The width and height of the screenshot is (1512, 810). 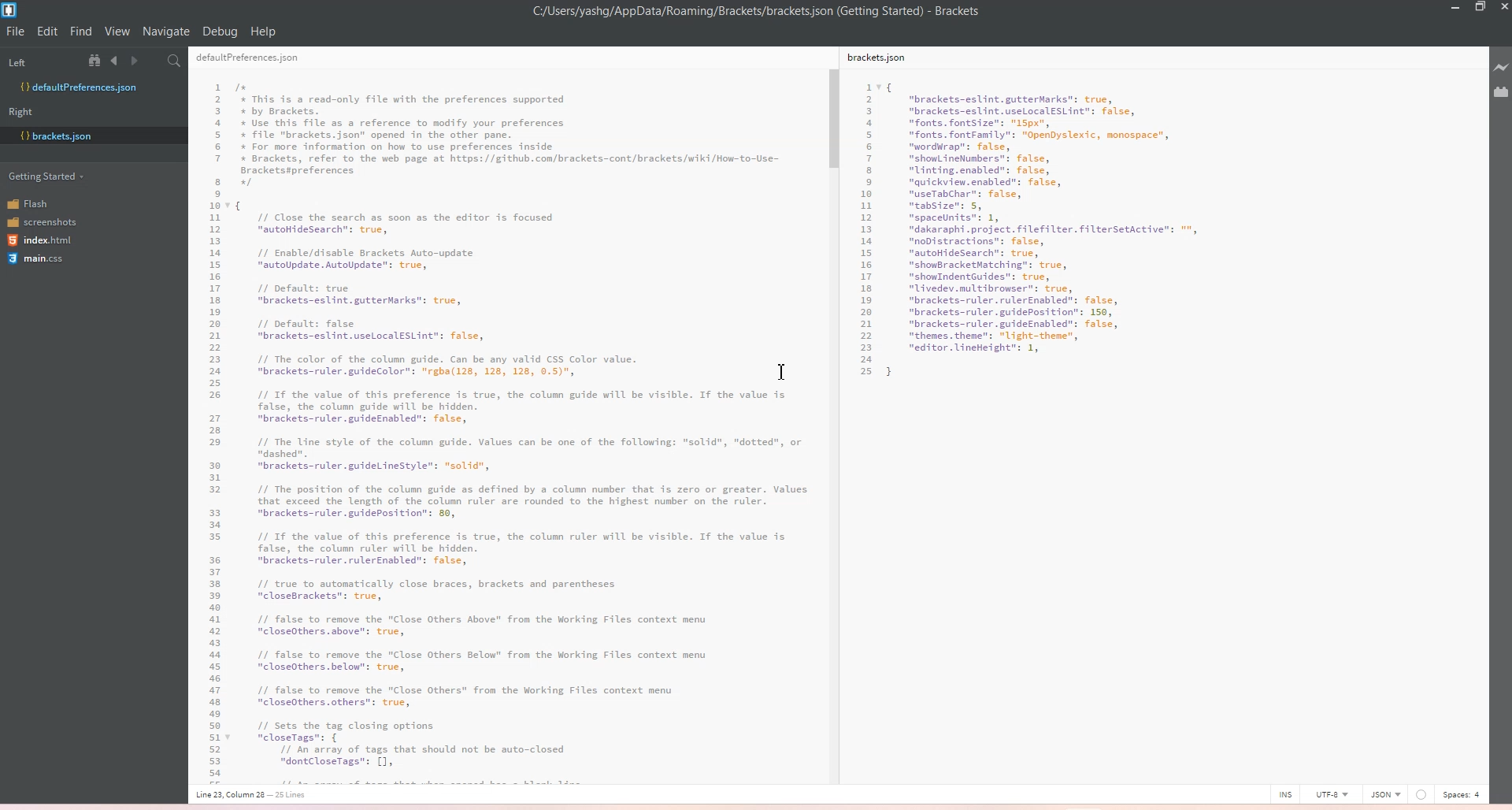 What do you see at coordinates (26, 111) in the screenshot?
I see `Right` at bounding box center [26, 111].